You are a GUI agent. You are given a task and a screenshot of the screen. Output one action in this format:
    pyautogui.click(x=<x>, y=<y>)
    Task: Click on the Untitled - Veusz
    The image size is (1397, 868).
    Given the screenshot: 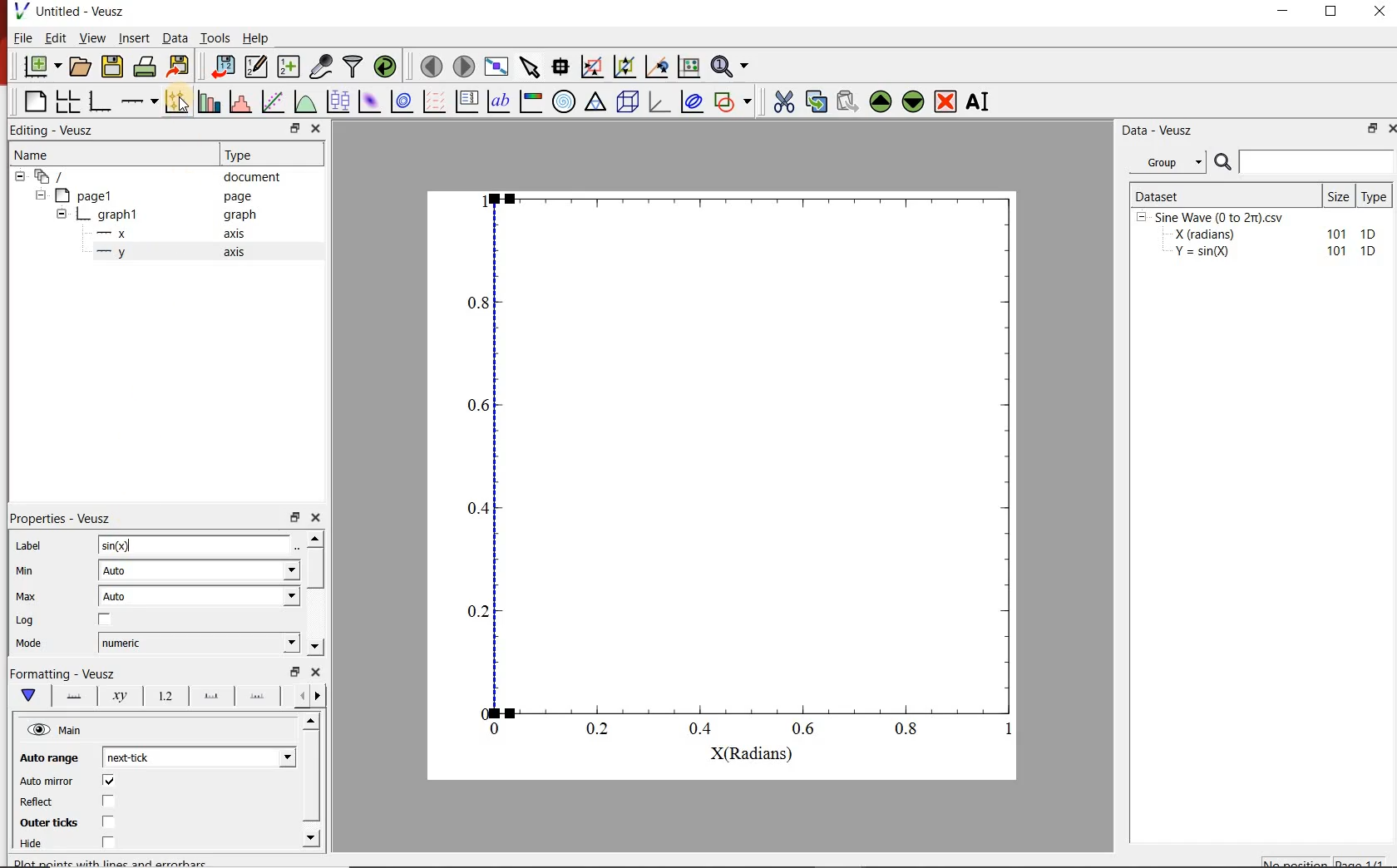 What is the action you would take?
    pyautogui.click(x=81, y=11)
    